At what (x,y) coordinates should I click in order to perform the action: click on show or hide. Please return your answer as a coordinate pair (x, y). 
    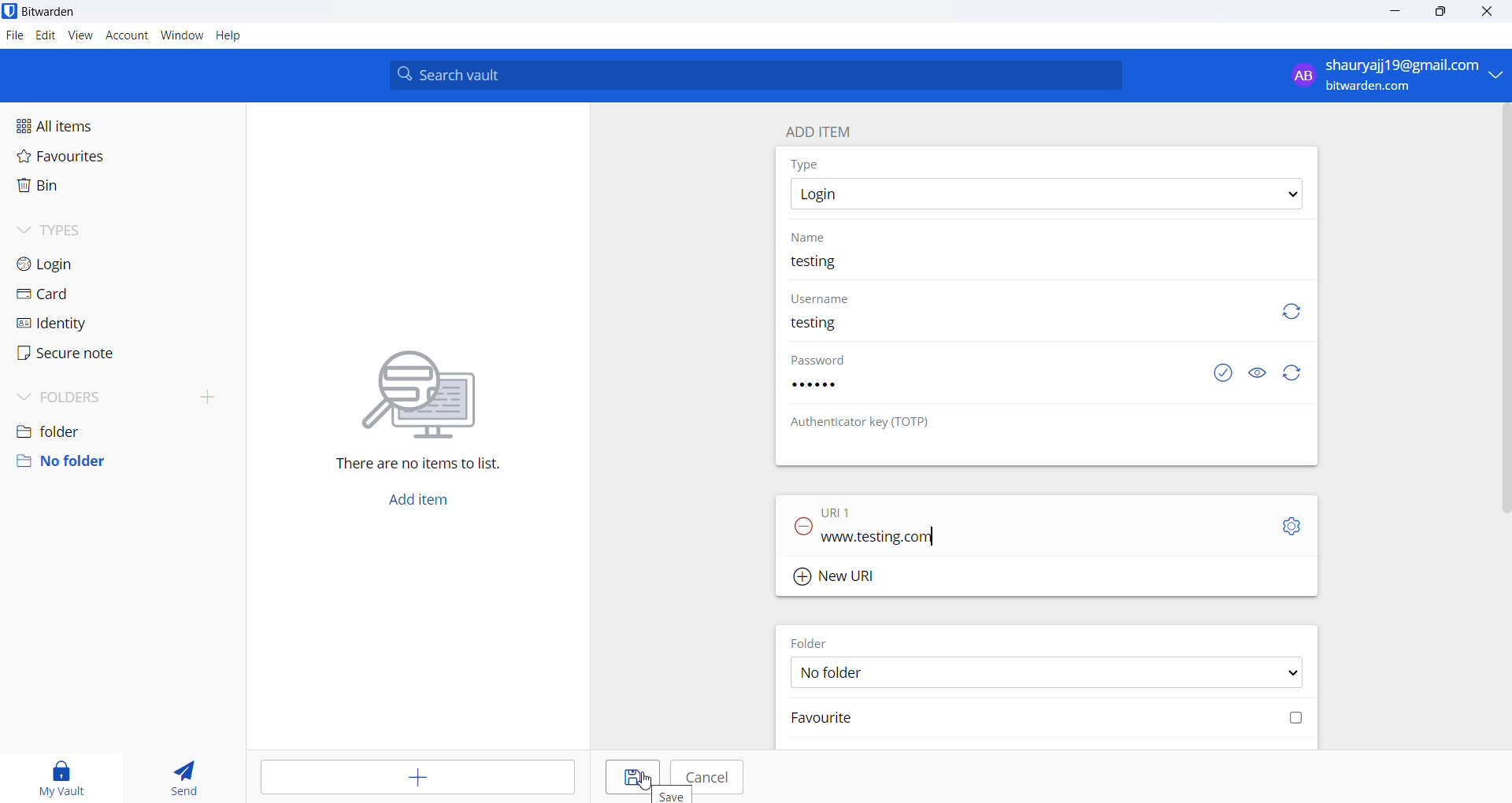
    Looking at the image, I should click on (1261, 370).